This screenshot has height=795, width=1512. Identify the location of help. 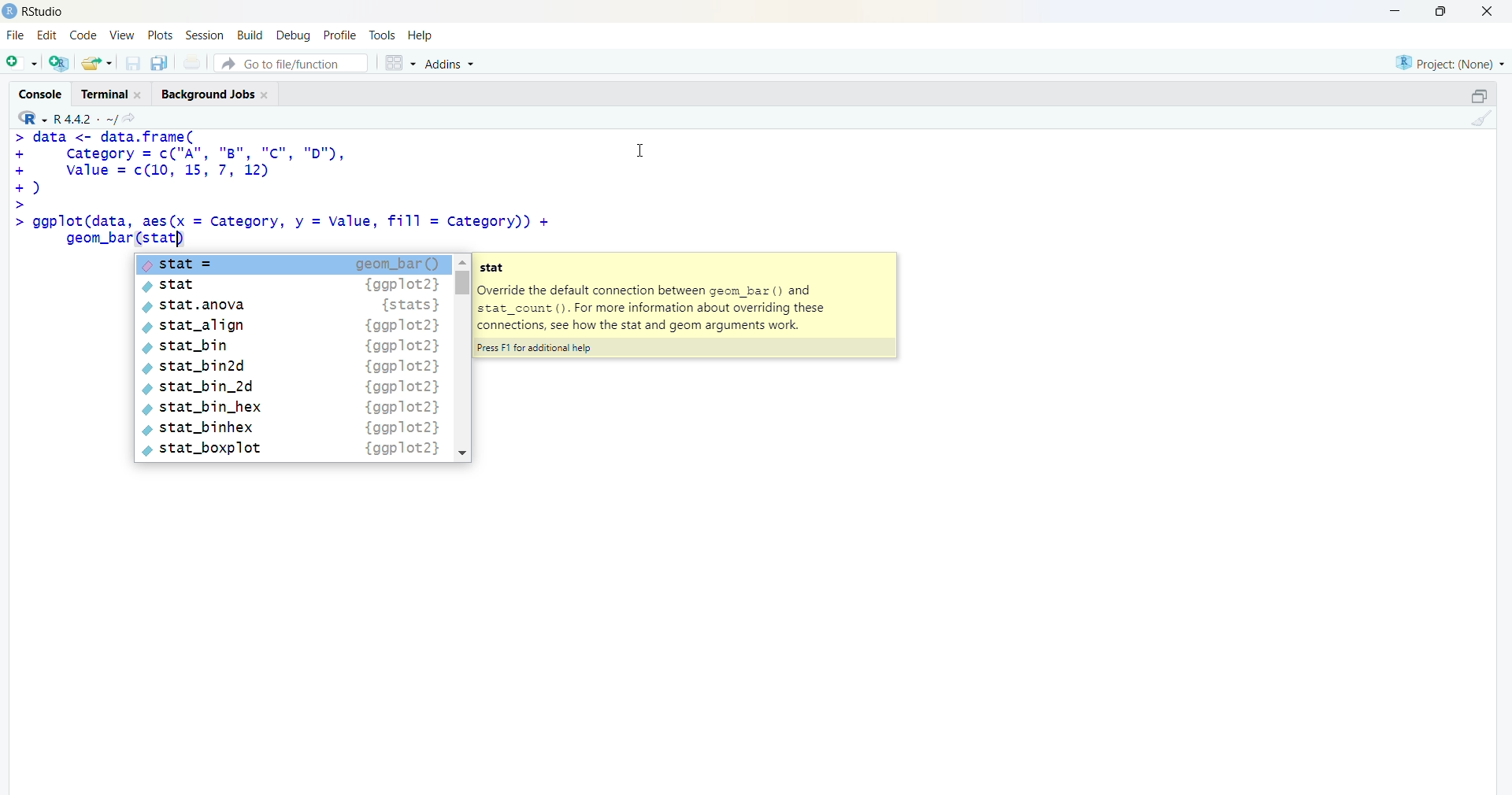
(423, 35).